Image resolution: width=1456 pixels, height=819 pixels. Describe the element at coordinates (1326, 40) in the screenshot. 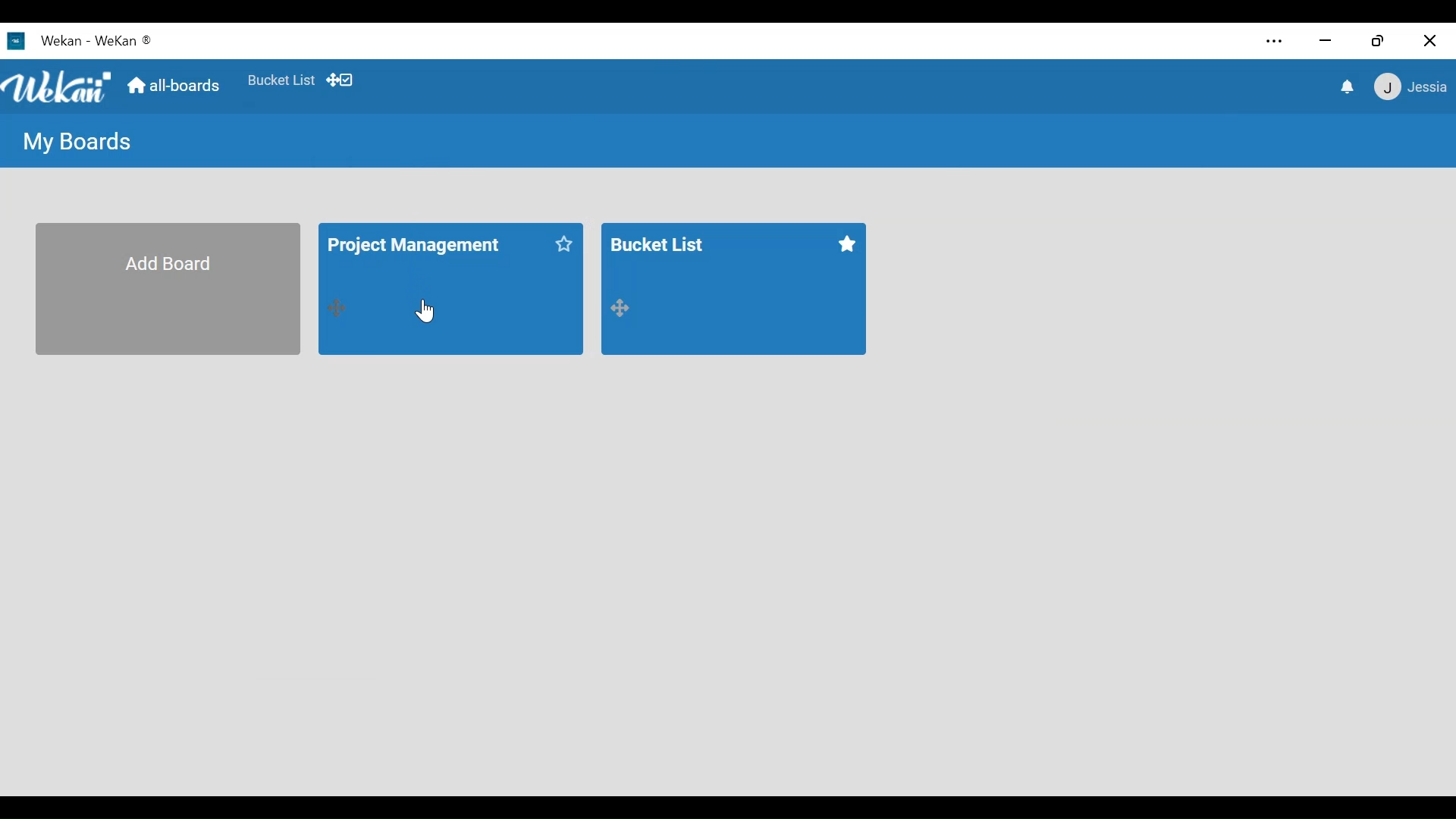

I see `minimize` at that location.